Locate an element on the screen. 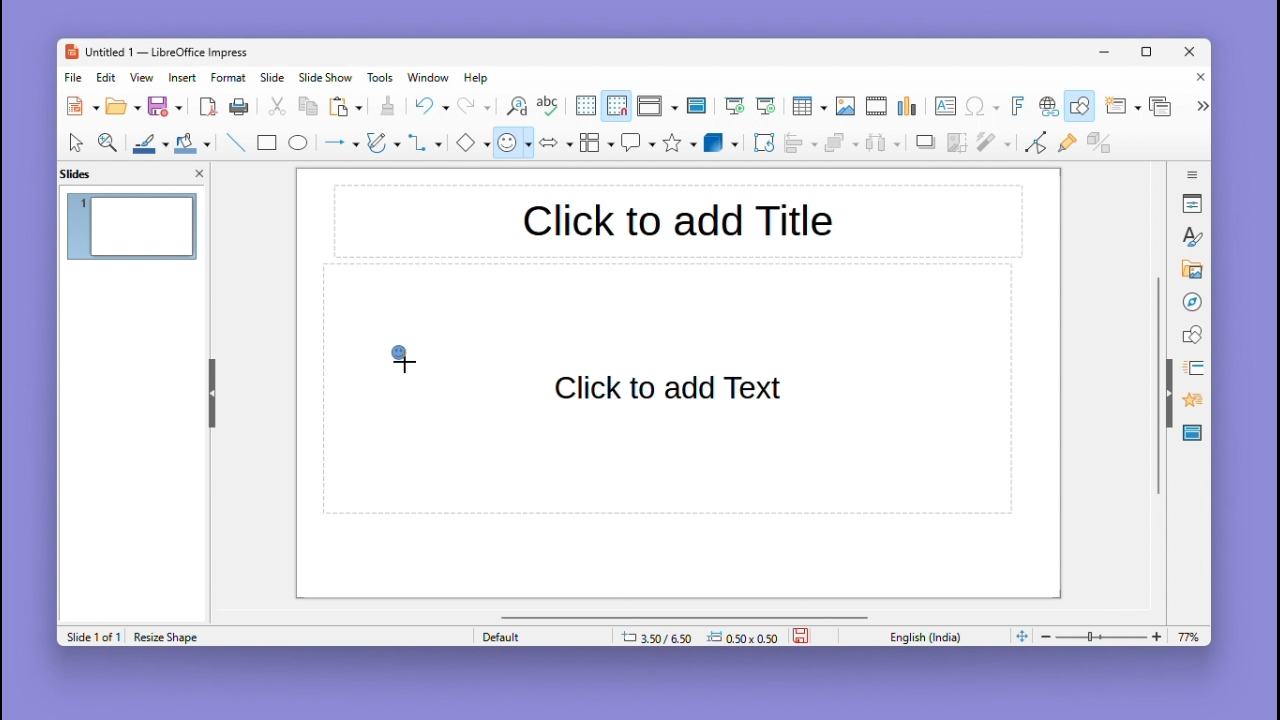 The width and height of the screenshot is (1280, 720). Fill colour is located at coordinates (190, 143).